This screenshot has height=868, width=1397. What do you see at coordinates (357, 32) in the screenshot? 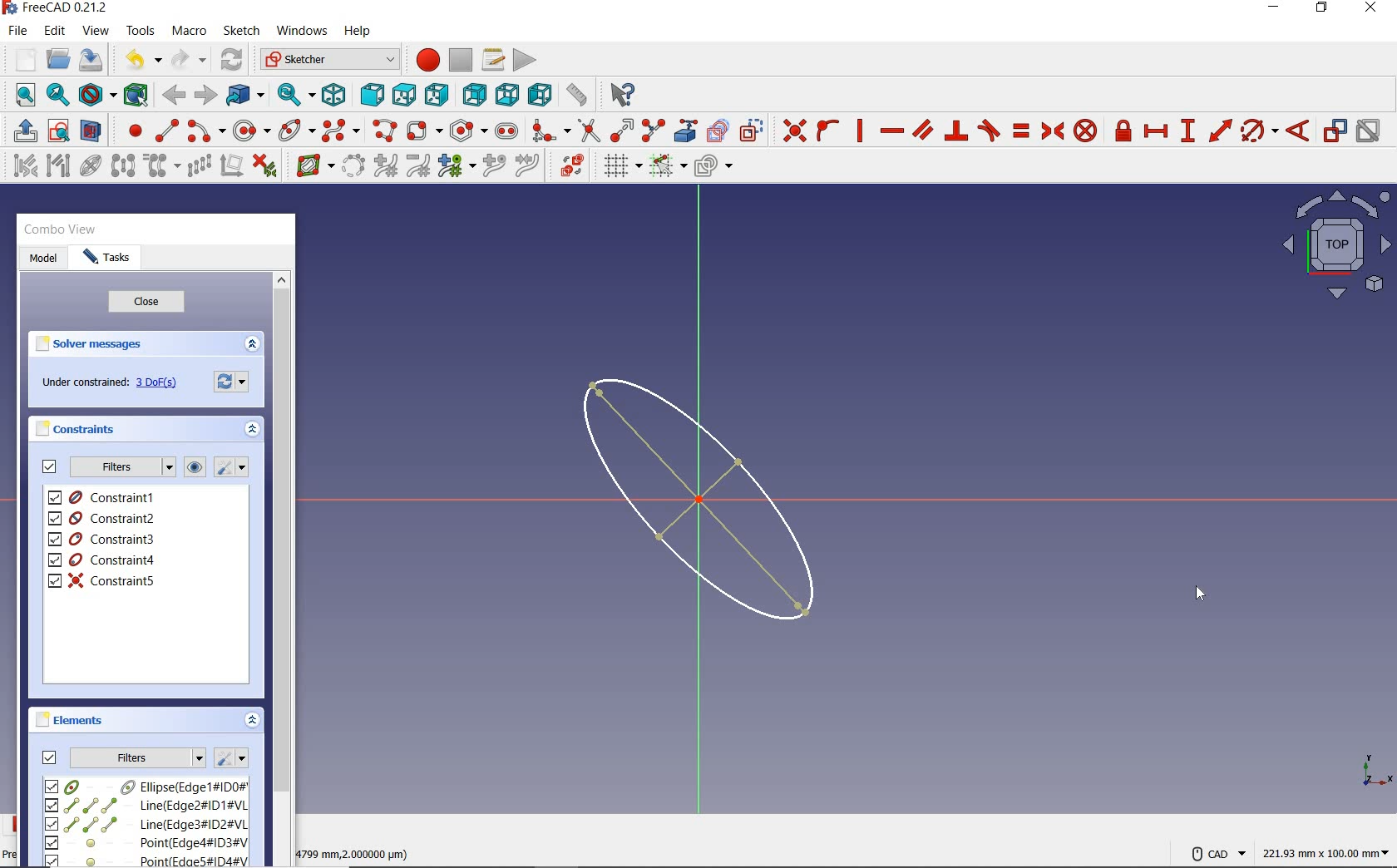
I see `help` at bounding box center [357, 32].